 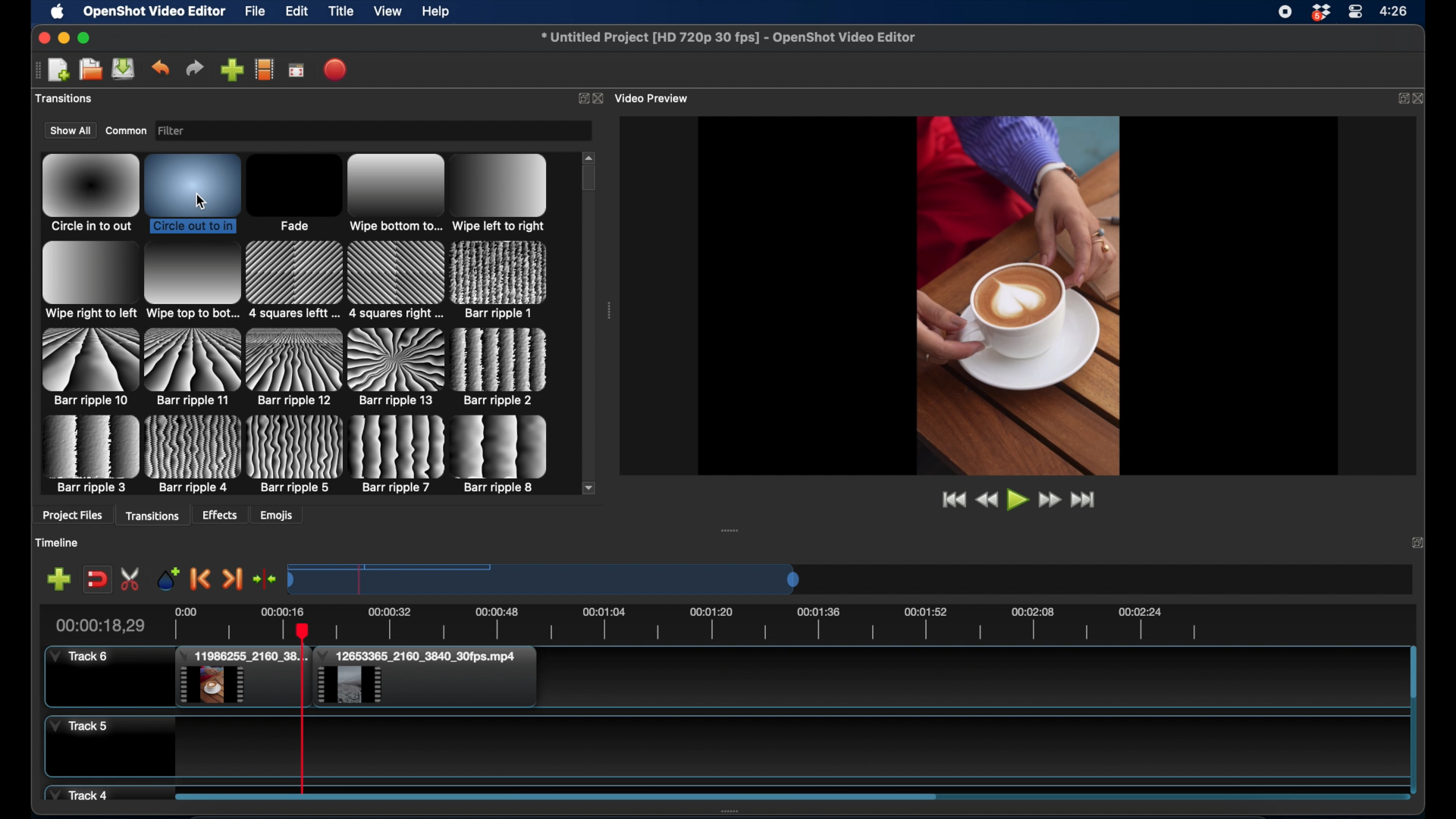 I want to click on show all, so click(x=70, y=130).